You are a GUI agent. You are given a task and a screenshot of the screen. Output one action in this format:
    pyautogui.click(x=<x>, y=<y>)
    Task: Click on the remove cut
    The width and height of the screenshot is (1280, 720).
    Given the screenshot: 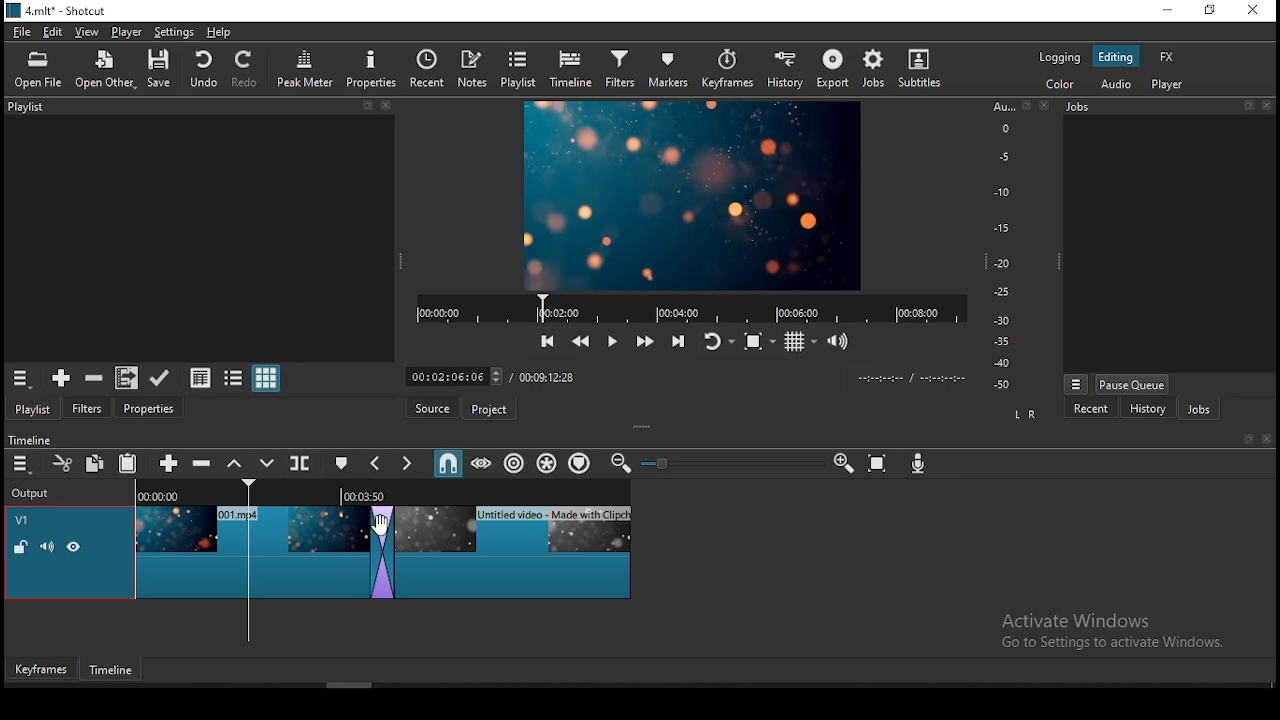 What is the action you would take?
    pyautogui.click(x=94, y=378)
    